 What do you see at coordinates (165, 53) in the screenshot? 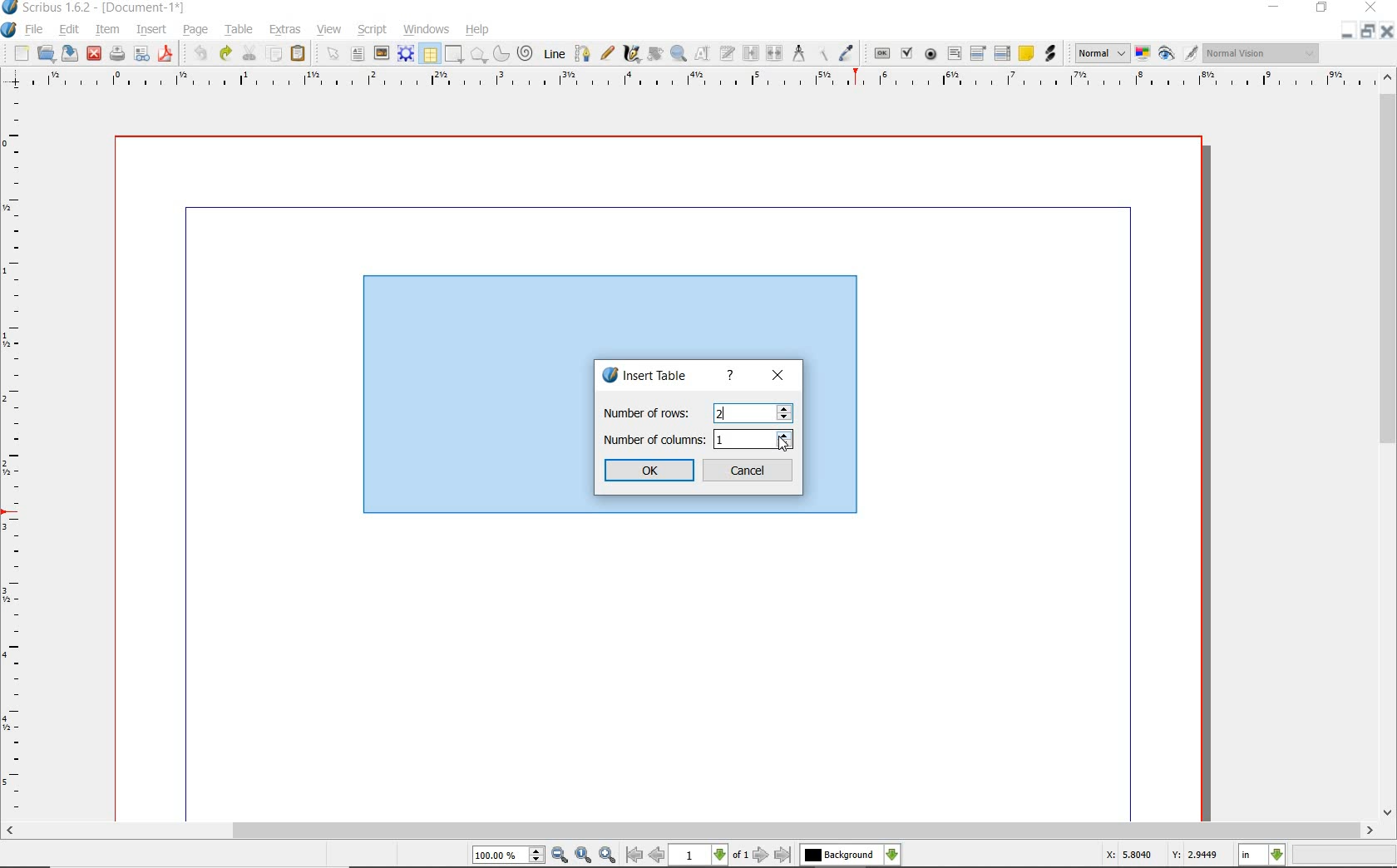
I see `save as pdf` at bounding box center [165, 53].